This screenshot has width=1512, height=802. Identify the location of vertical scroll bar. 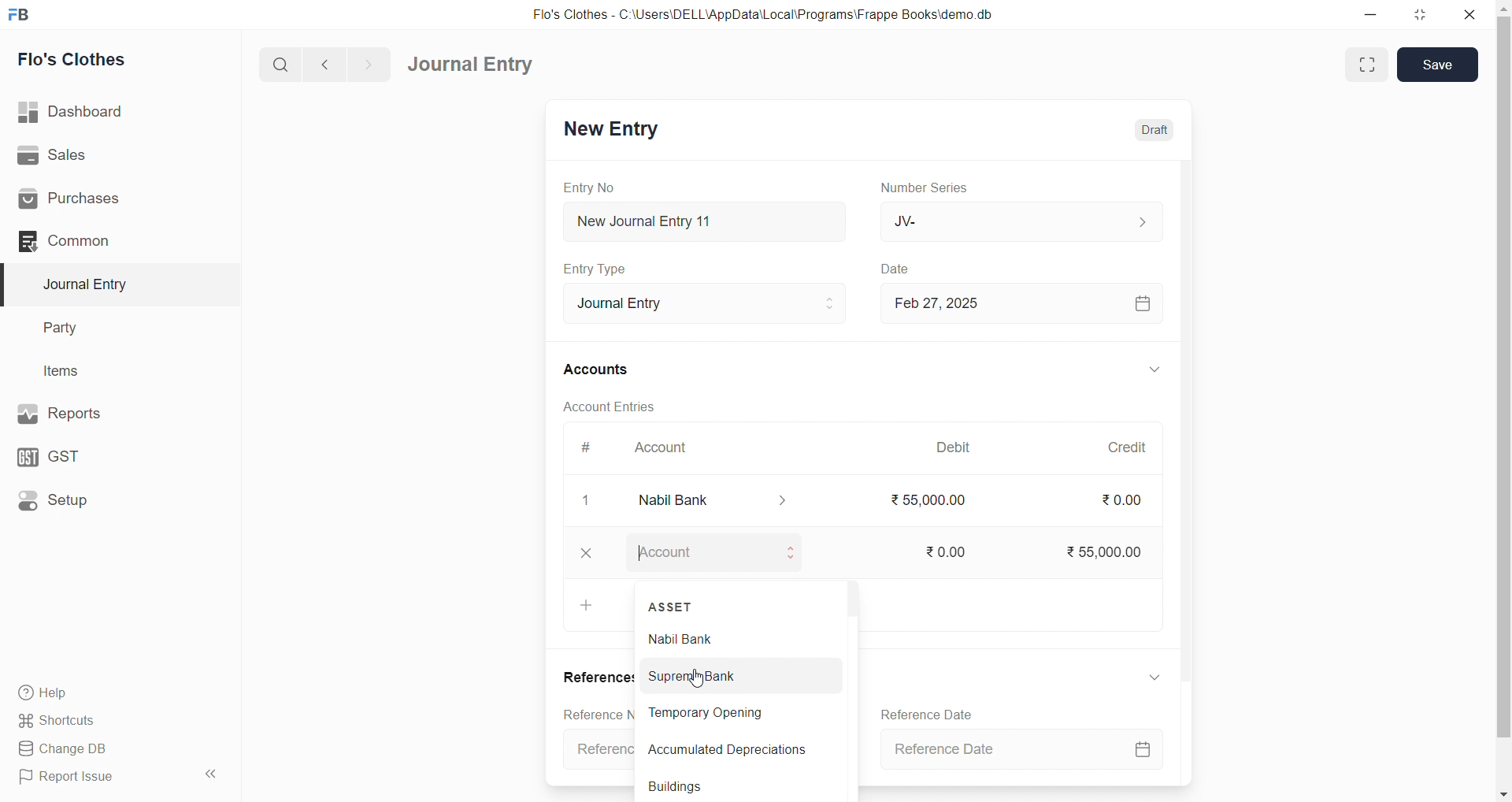
(854, 687).